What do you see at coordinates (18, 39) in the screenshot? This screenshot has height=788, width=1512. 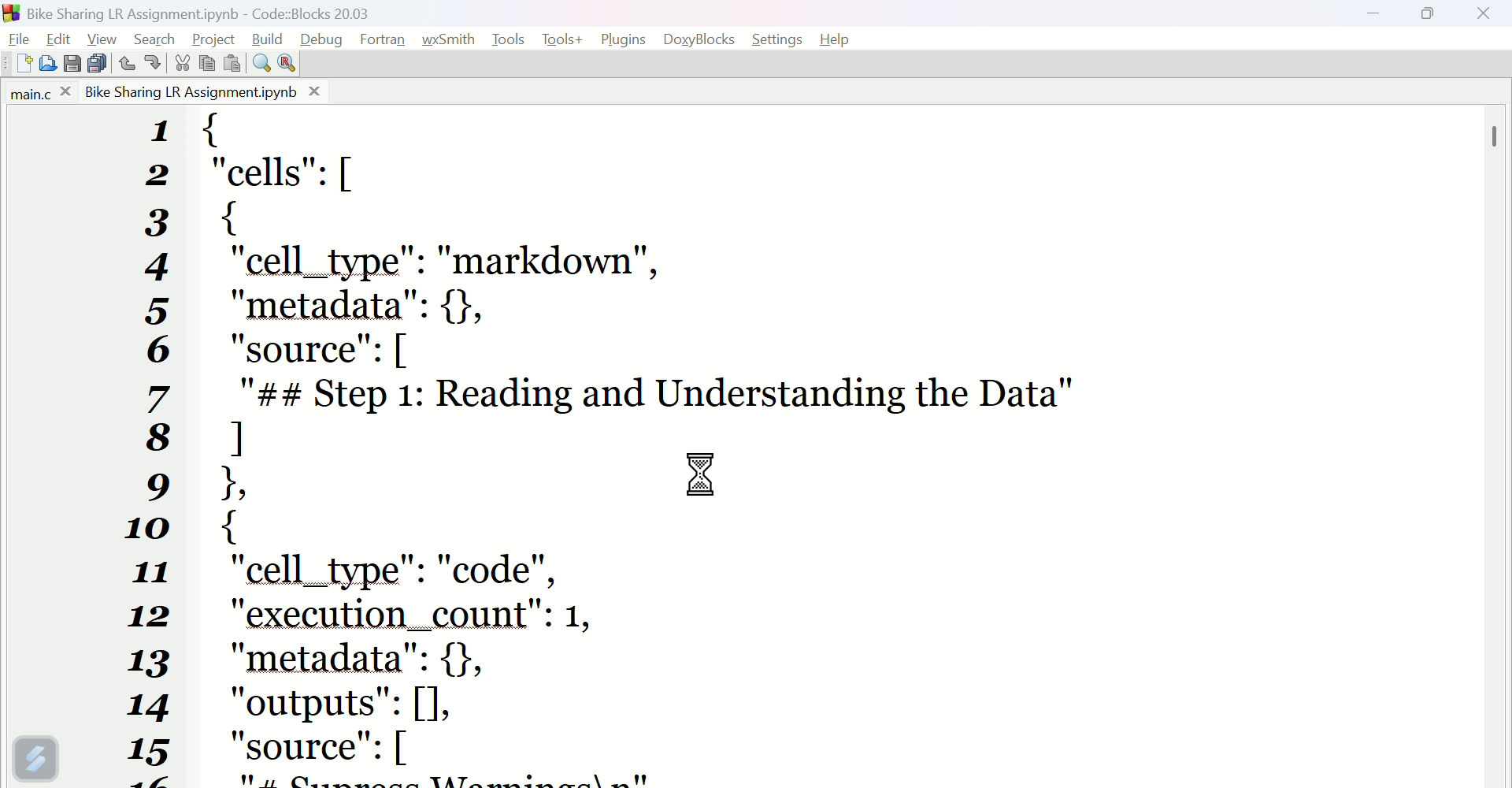 I see `File` at bounding box center [18, 39].